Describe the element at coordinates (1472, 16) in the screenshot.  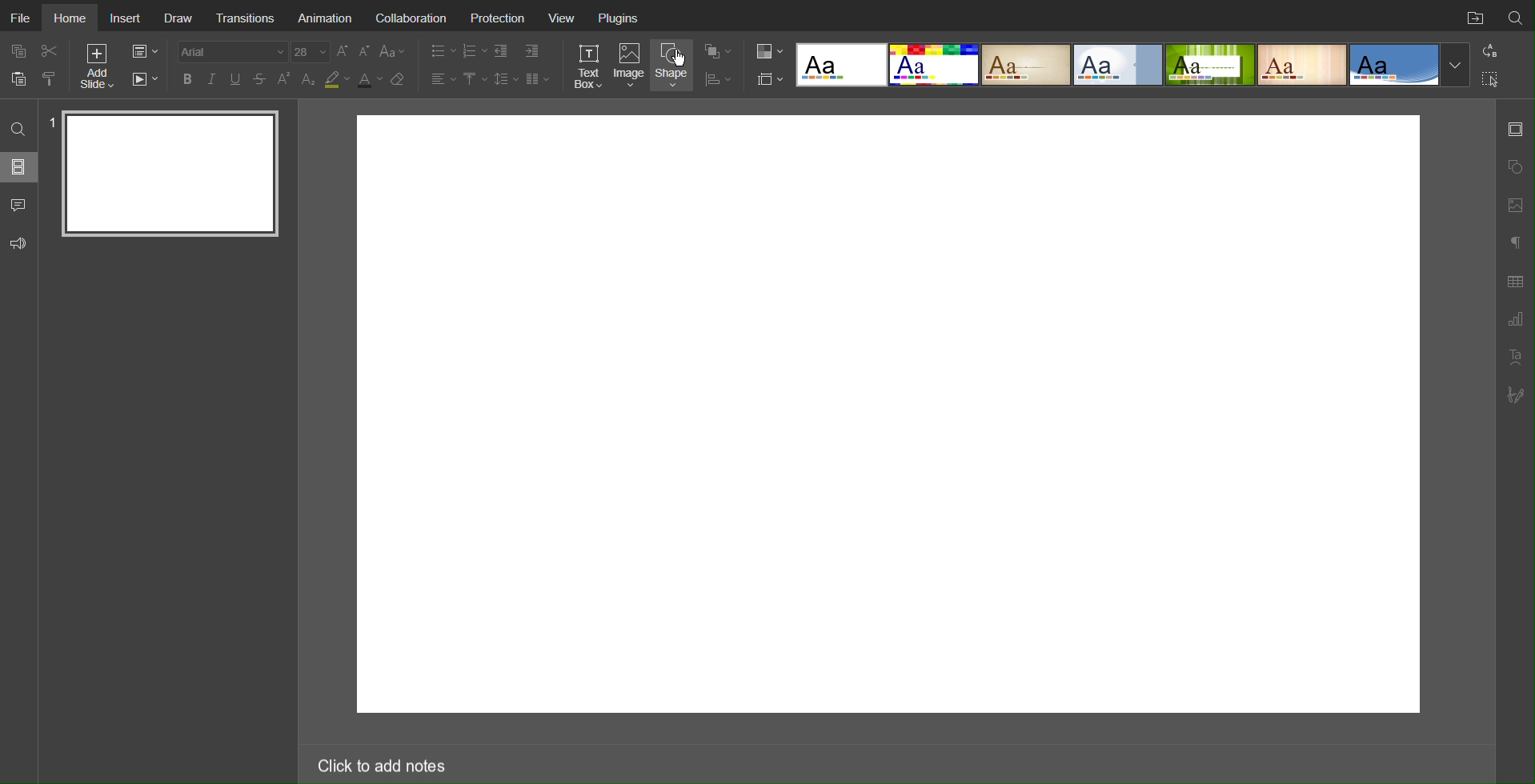
I see `Open File Location` at that location.